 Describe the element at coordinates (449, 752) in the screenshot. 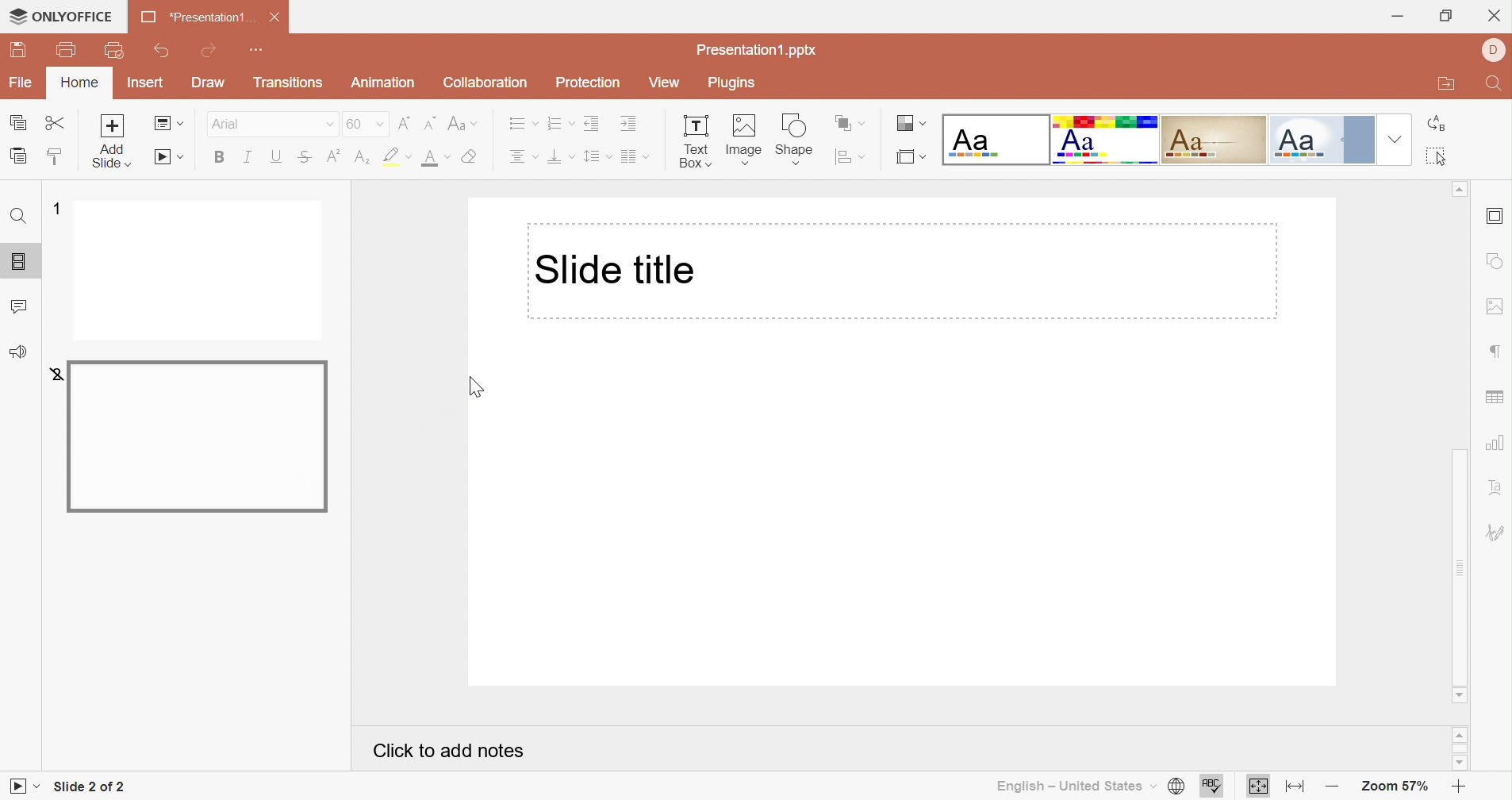

I see `Click to add notes` at that location.